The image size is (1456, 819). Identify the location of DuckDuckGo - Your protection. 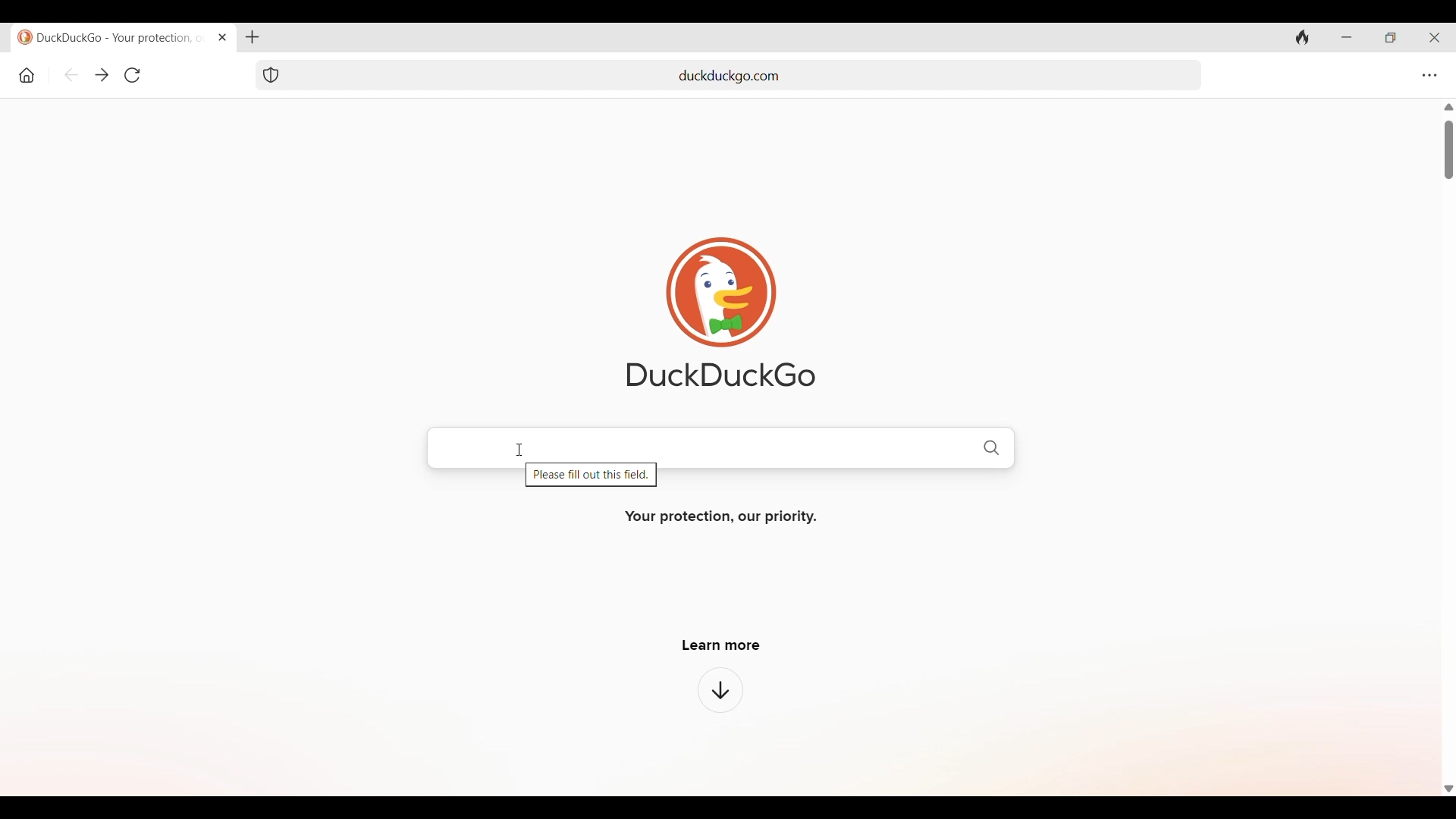
(112, 36).